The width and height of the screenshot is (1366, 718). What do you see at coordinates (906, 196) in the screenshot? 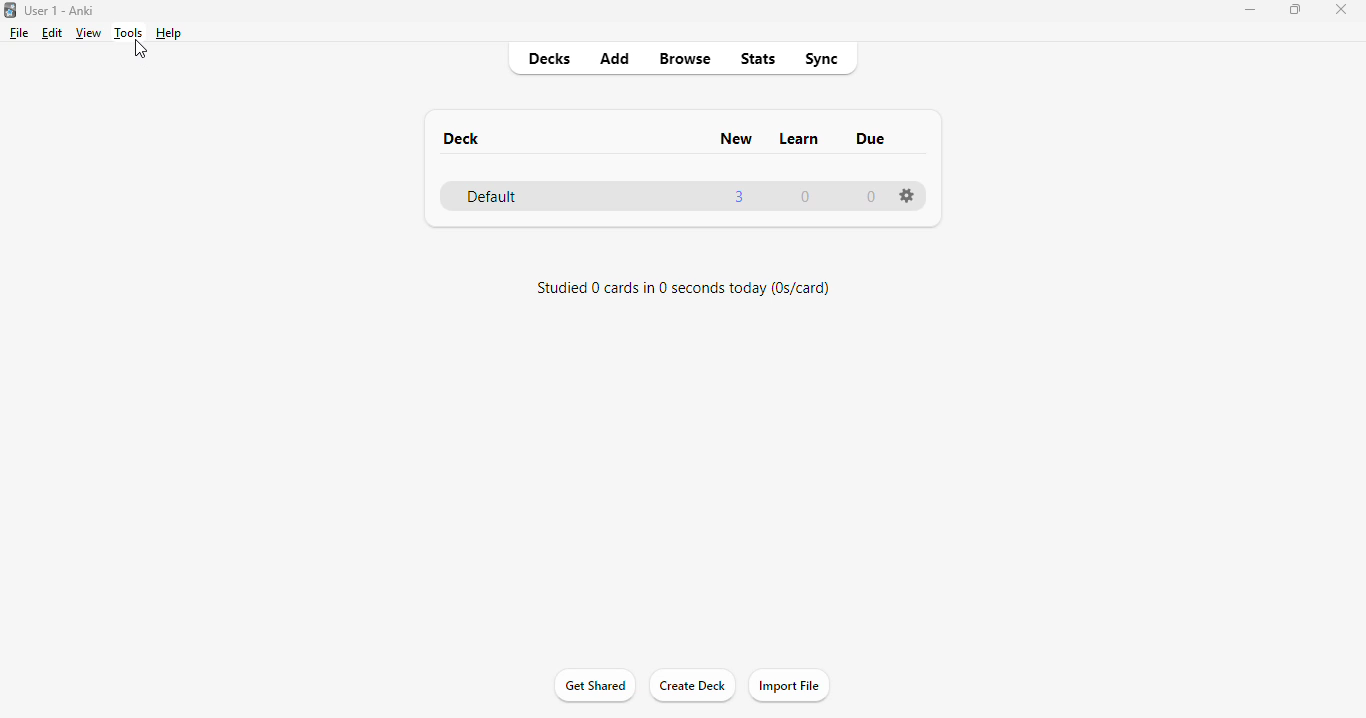
I see `options` at bounding box center [906, 196].